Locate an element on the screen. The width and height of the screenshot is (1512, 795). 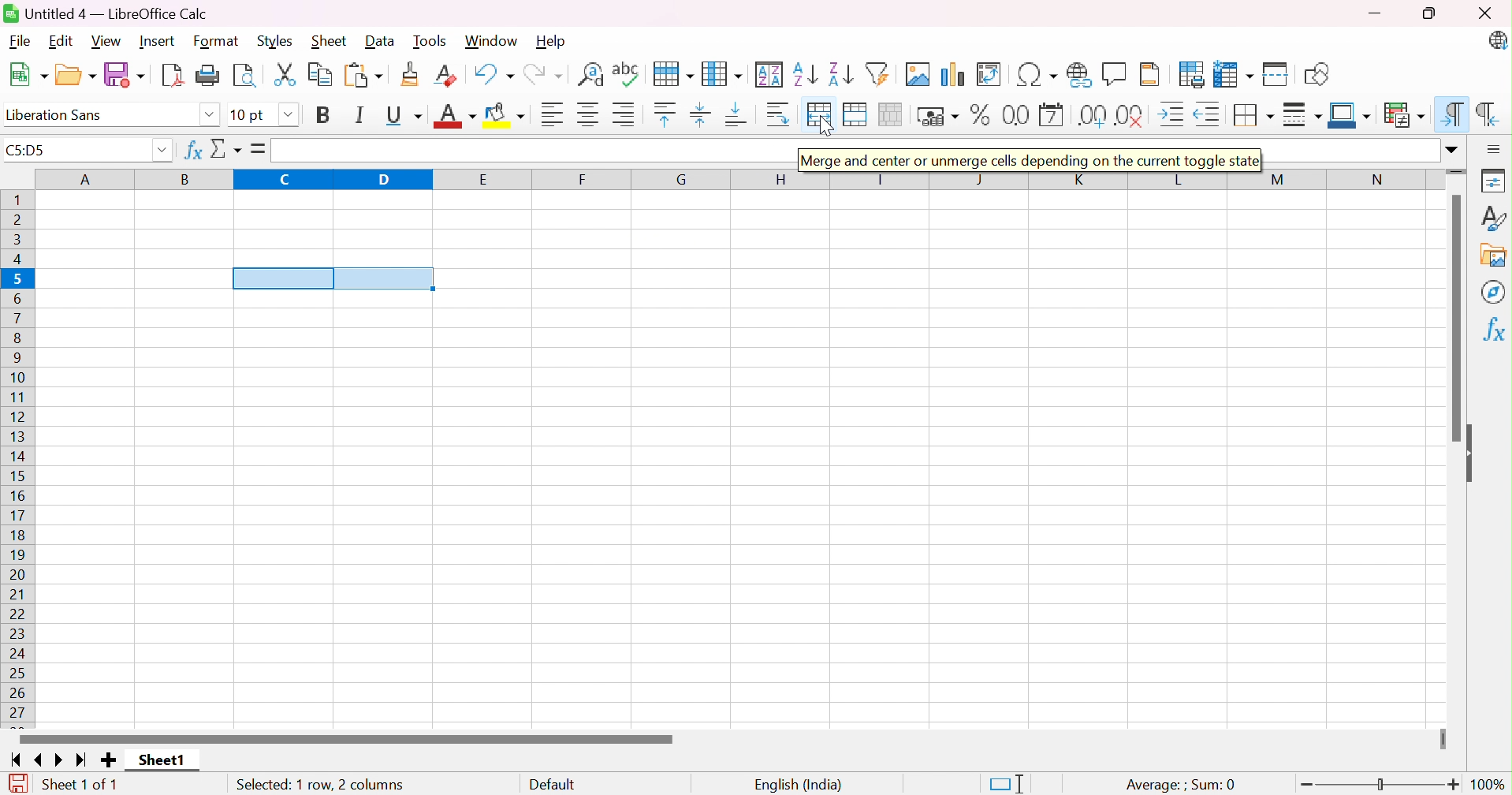
Cut is located at coordinates (287, 75).